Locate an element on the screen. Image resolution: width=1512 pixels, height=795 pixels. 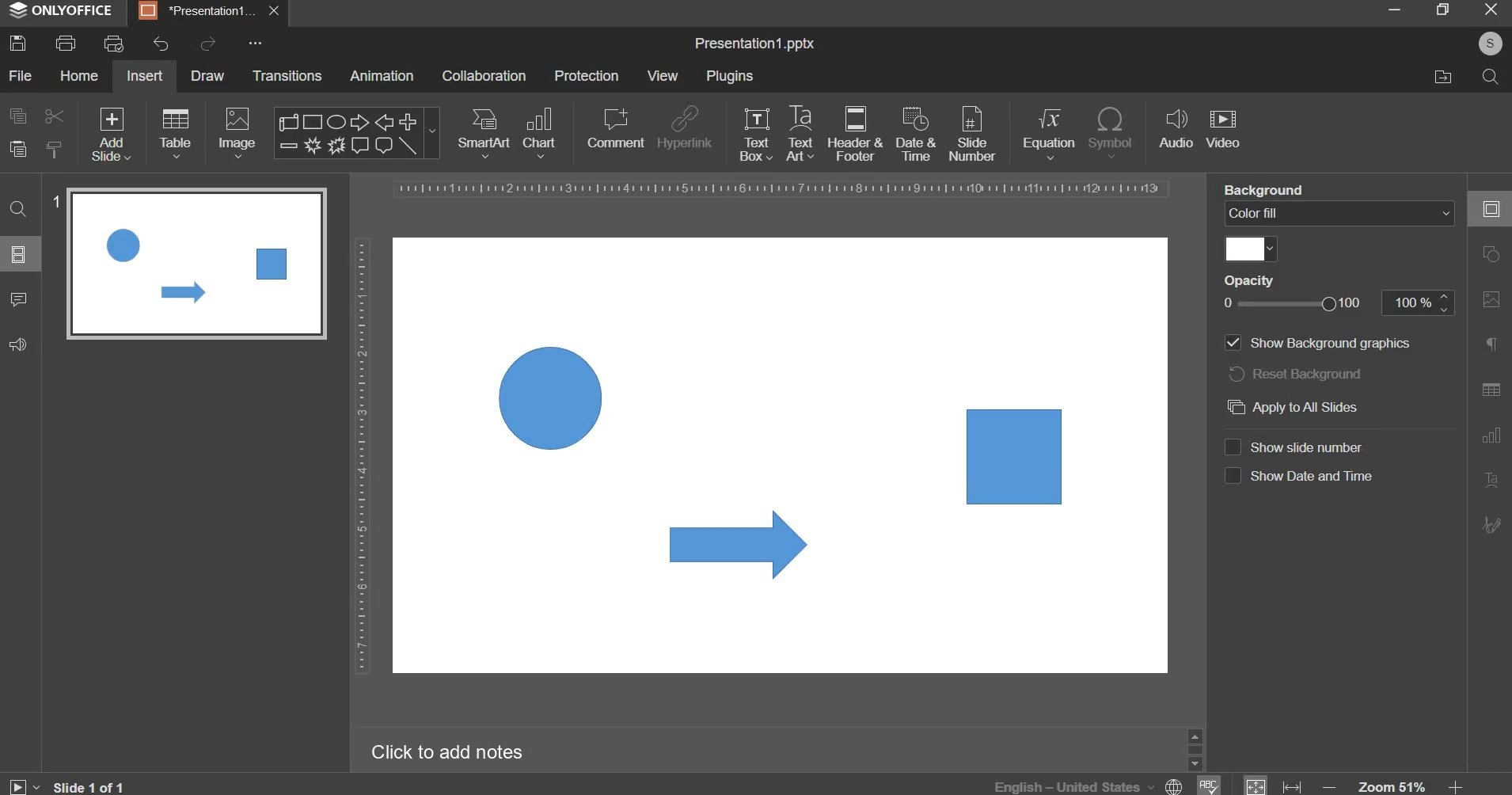
hyperlink is located at coordinates (684, 130).